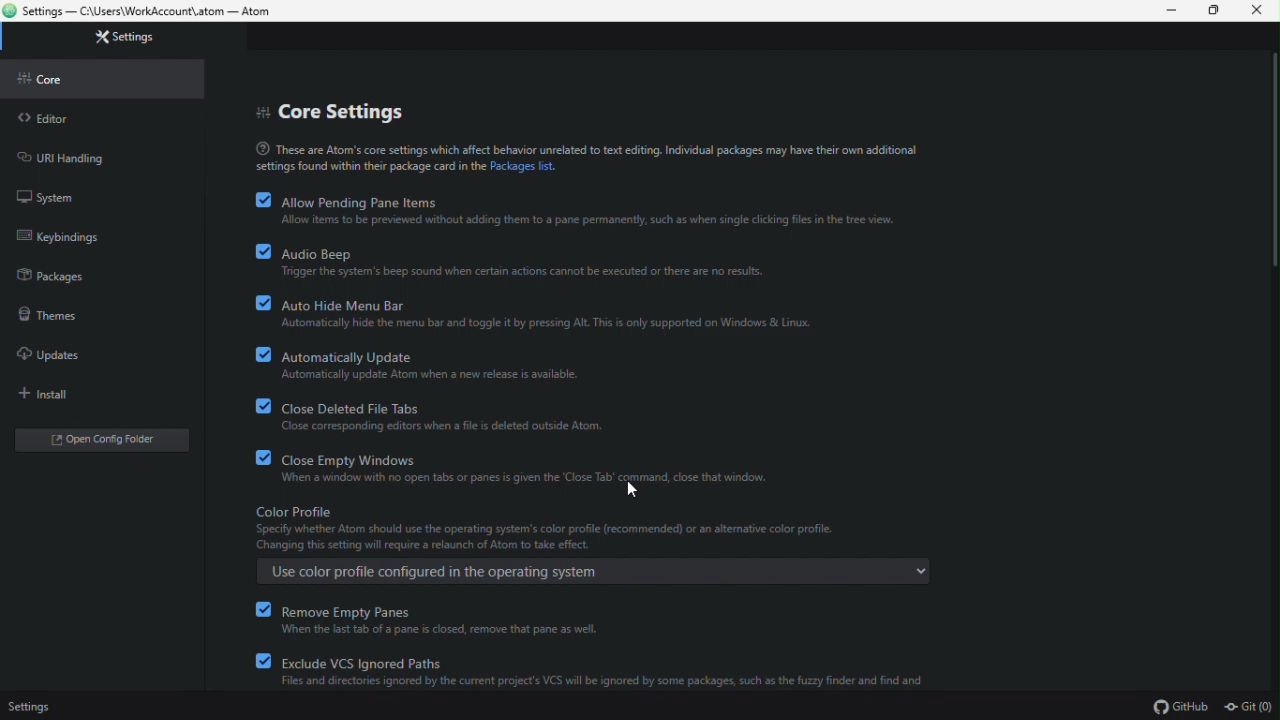 This screenshot has width=1280, height=720. What do you see at coordinates (550, 315) in the screenshot?
I see `auto hide menu bar` at bounding box center [550, 315].